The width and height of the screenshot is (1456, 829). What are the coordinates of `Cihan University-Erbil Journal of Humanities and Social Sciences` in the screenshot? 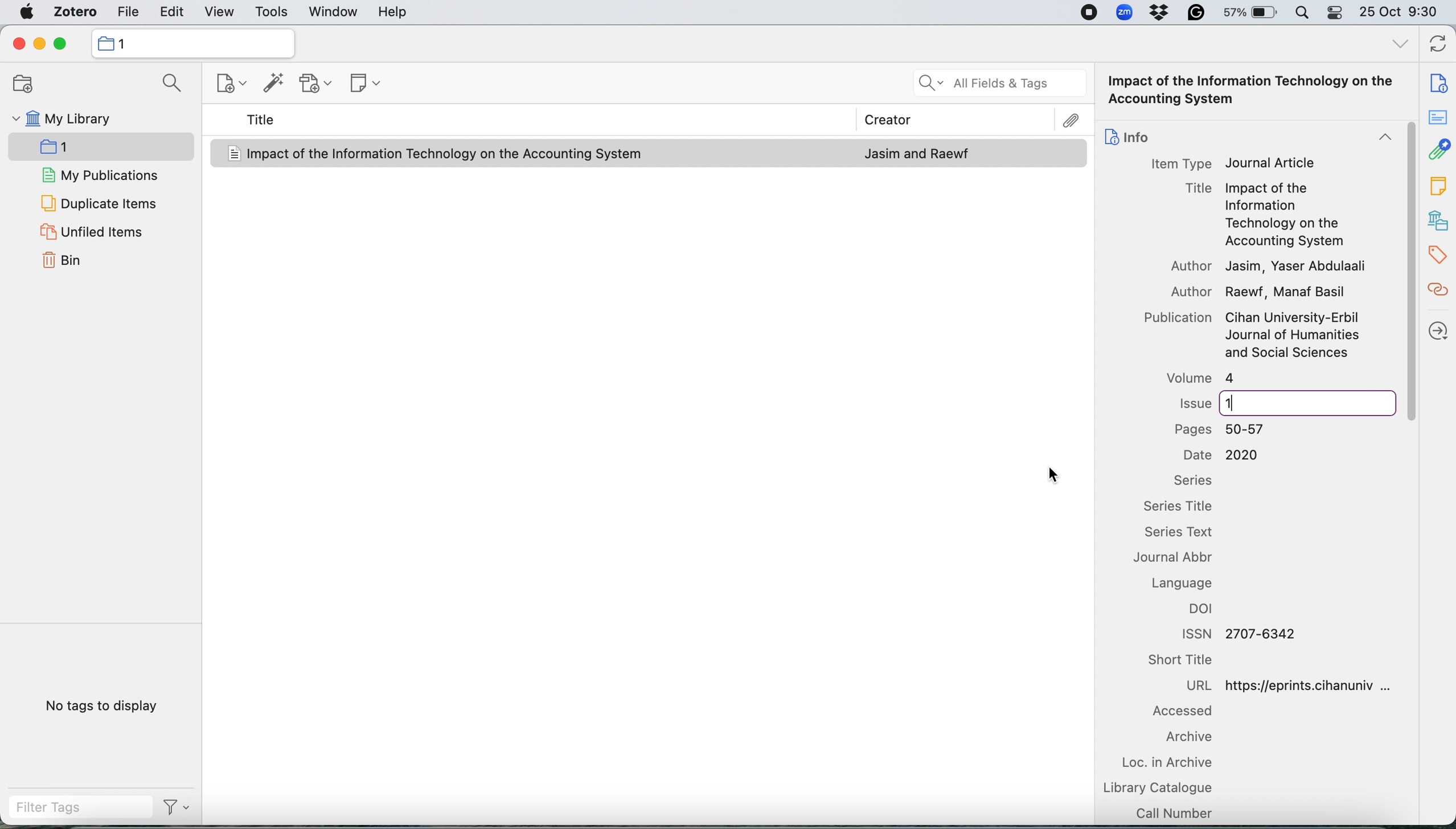 It's located at (1293, 336).